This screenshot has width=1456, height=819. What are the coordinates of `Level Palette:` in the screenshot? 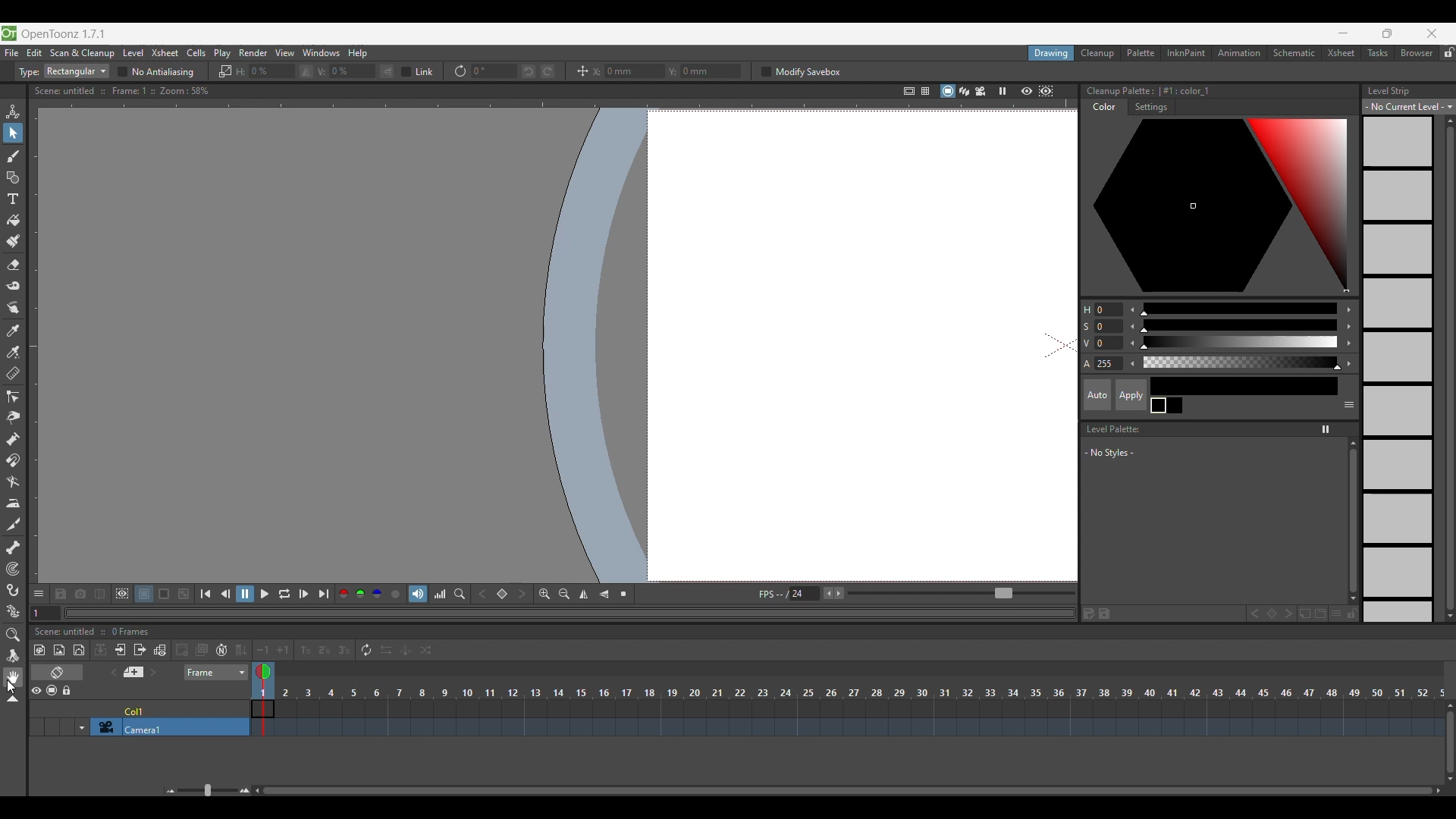 It's located at (1116, 428).